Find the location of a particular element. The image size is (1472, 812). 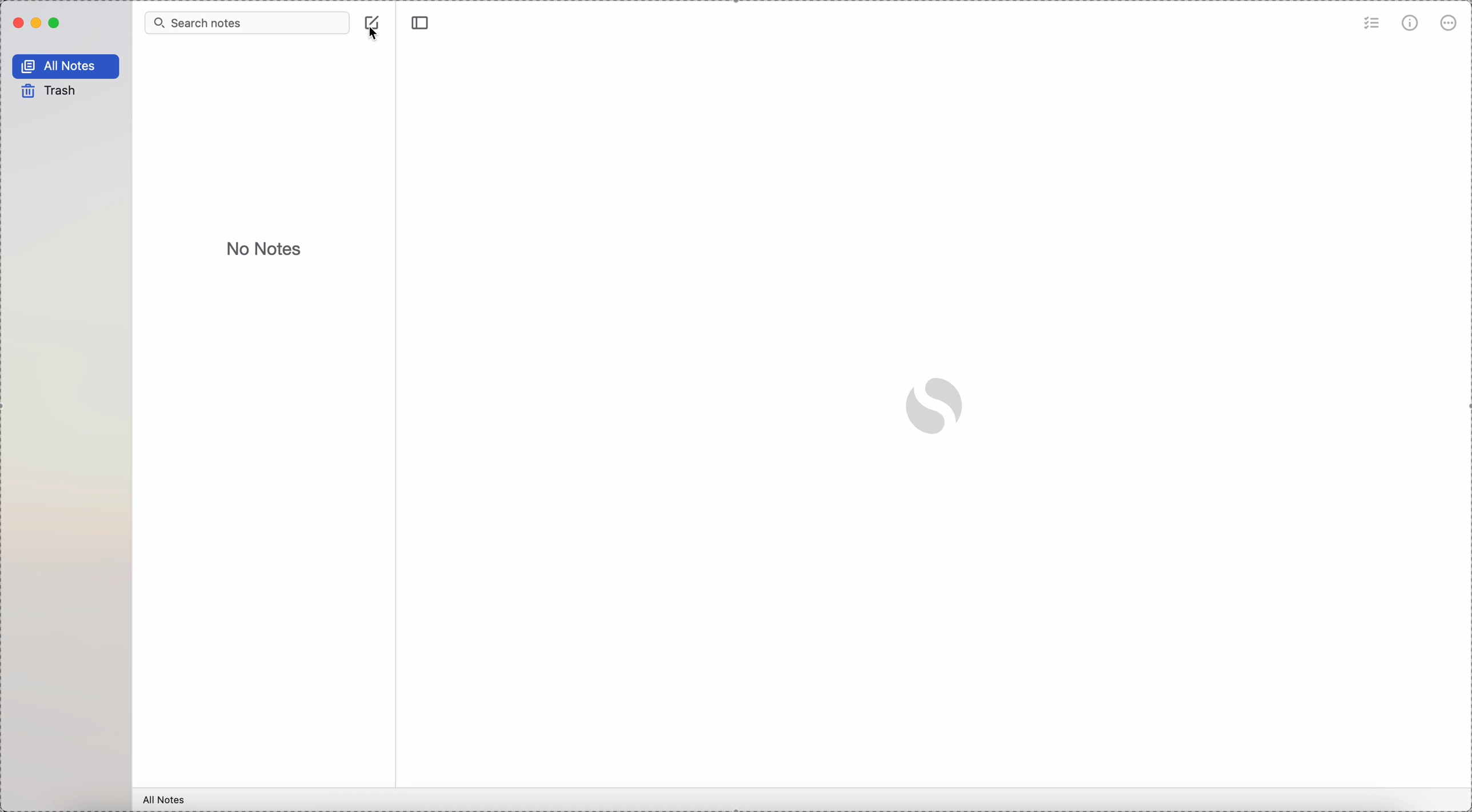

toggle sidebar is located at coordinates (419, 23).